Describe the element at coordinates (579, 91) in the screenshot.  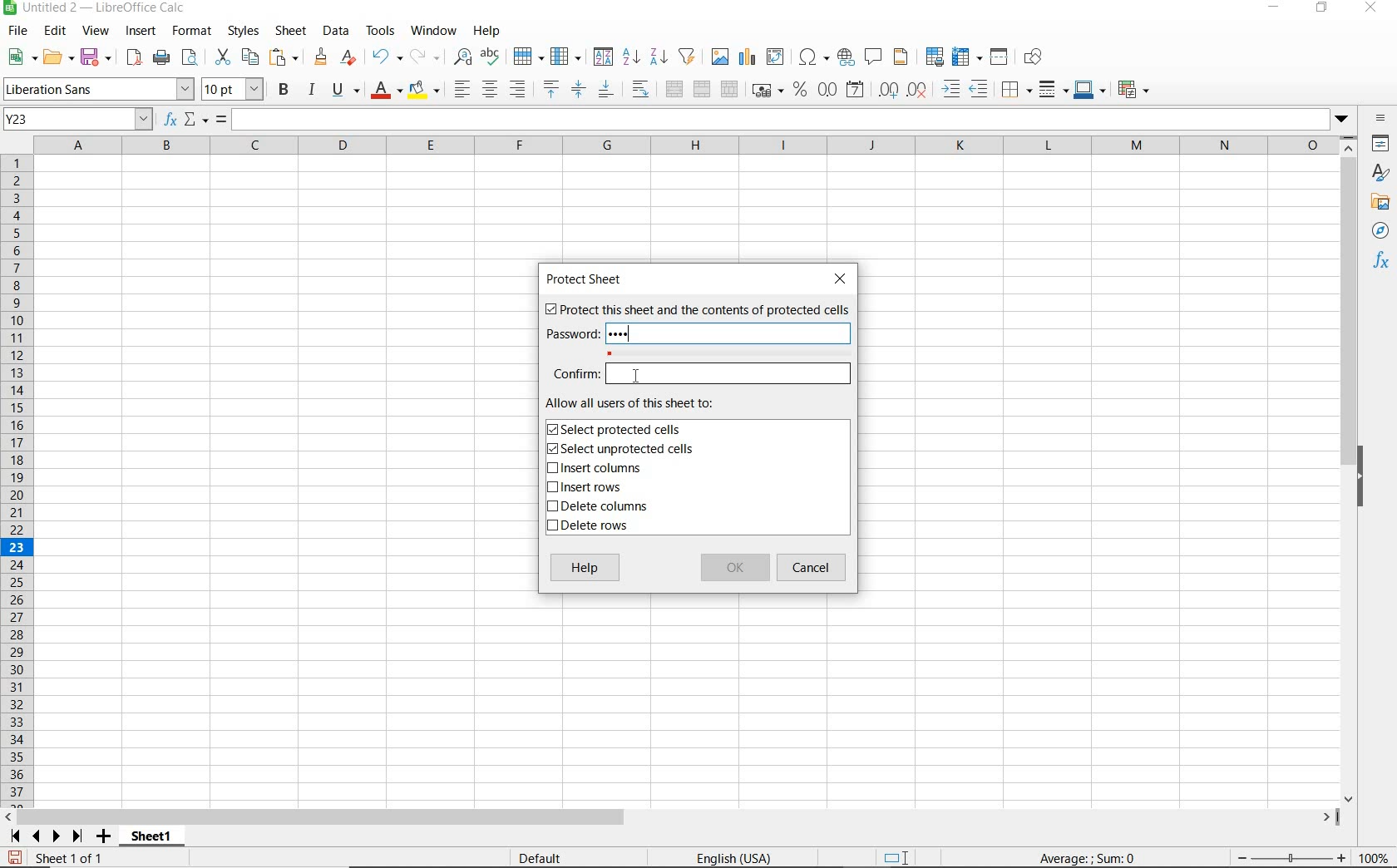
I see `CENTER VERTICALLY` at that location.